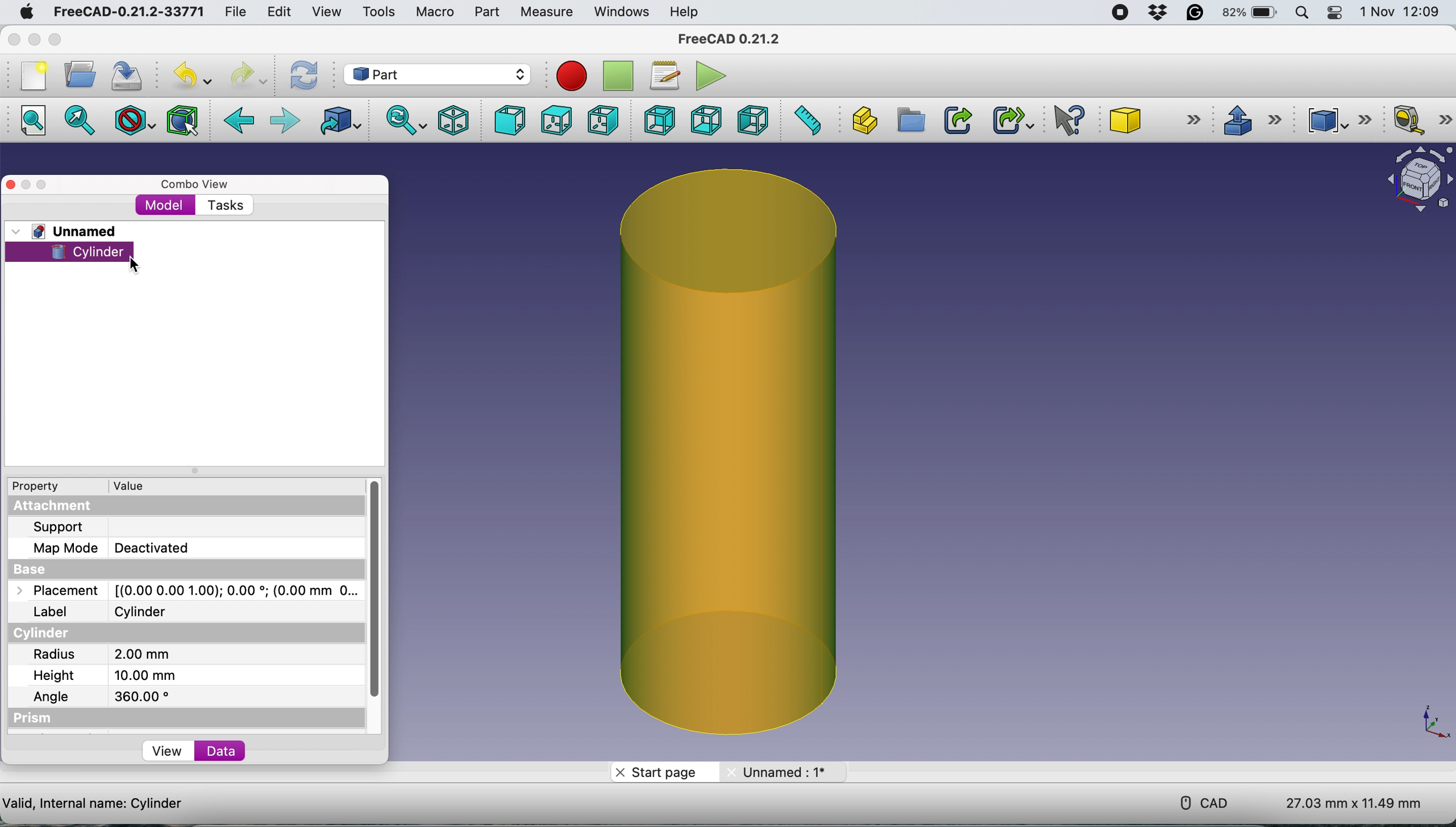  I want to click on make link, so click(958, 122).